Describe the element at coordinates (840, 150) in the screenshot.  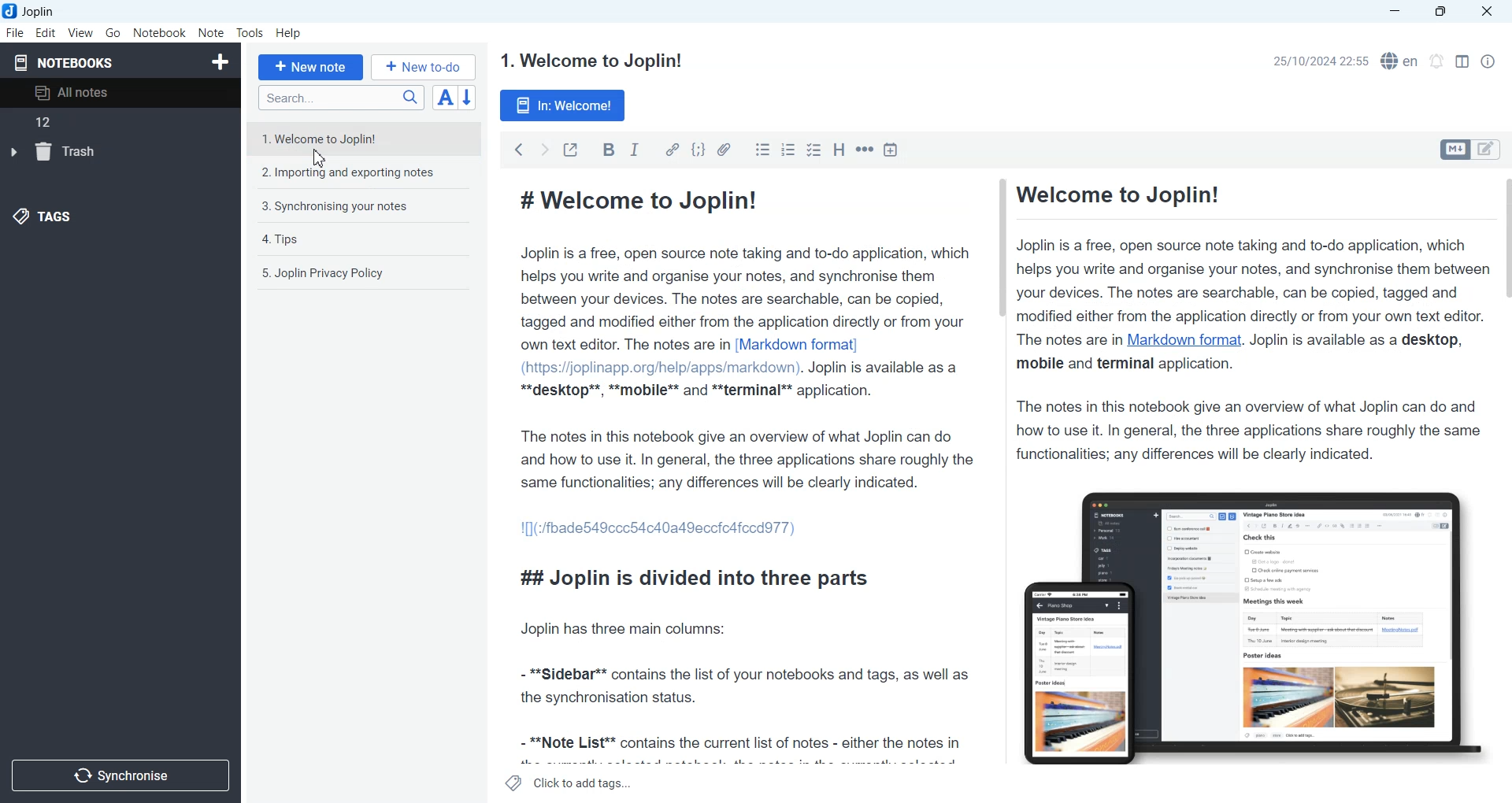
I see `Heading` at that location.